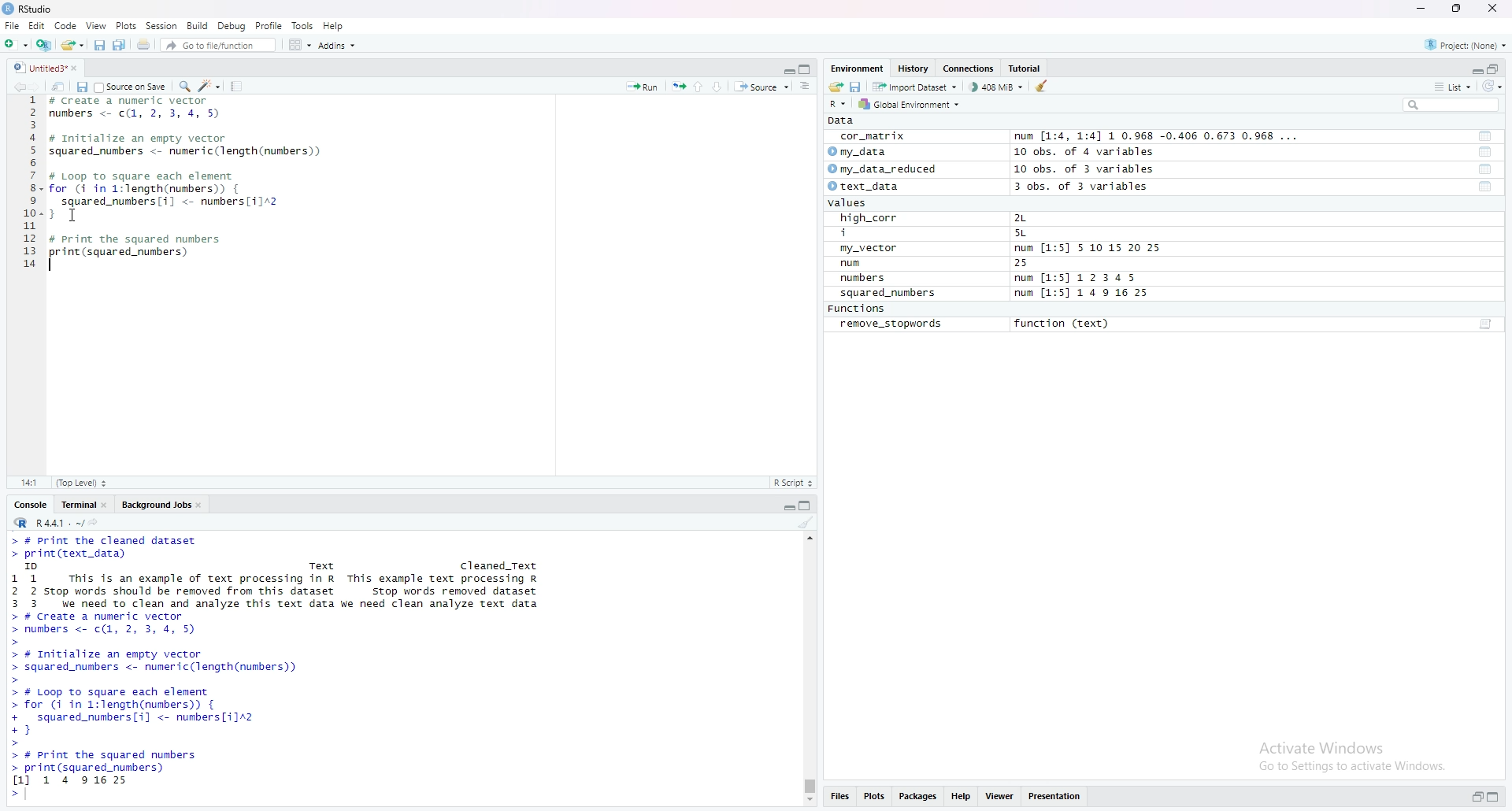 The image size is (1512, 811). What do you see at coordinates (1492, 87) in the screenshot?
I see `refresh options` at bounding box center [1492, 87].